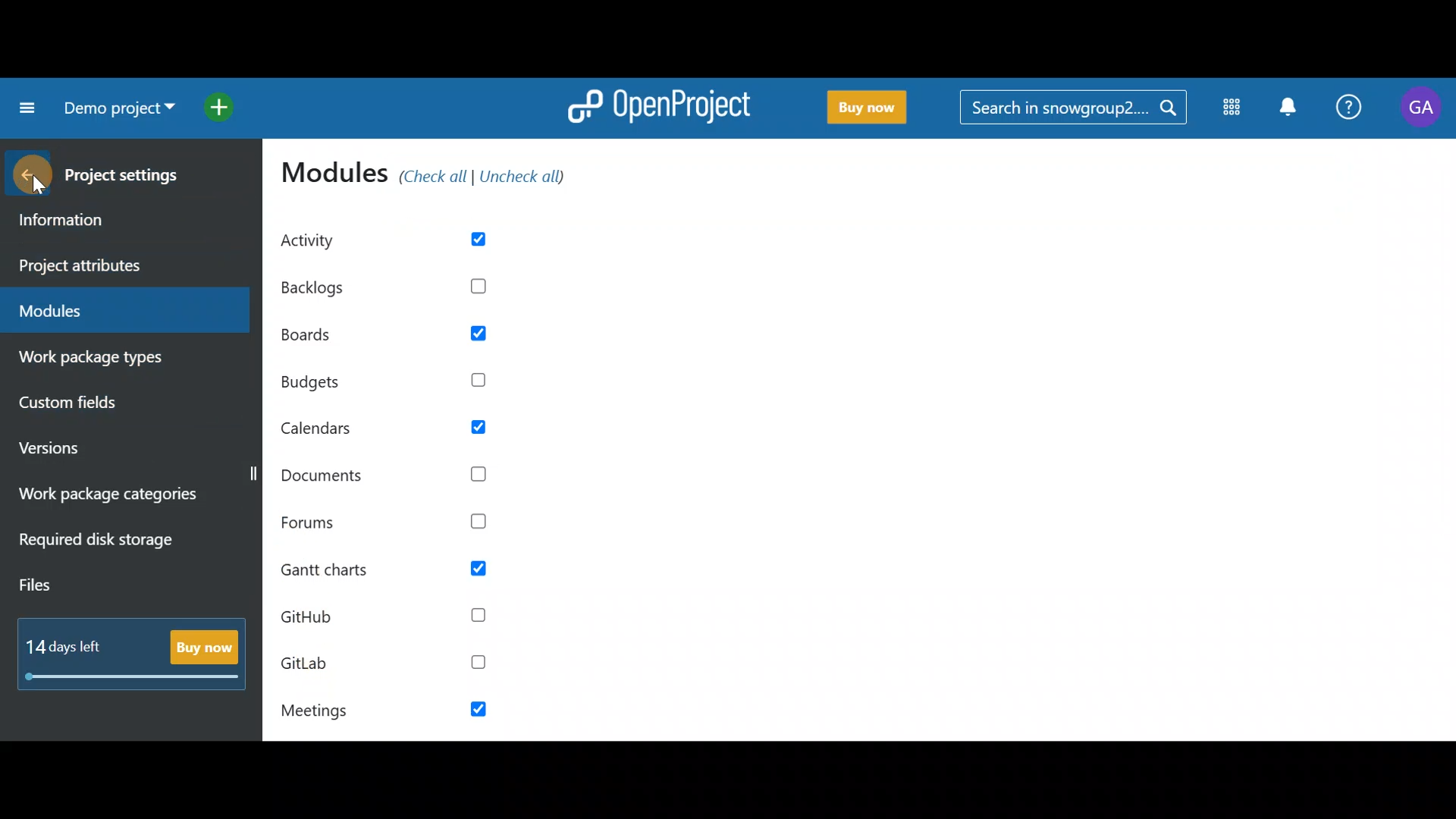 The image size is (1456, 819). What do you see at coordinates (431, 175) in the screenshot?
I see `Modules (check all/uncheck all)` at bounding box center [431, 175].